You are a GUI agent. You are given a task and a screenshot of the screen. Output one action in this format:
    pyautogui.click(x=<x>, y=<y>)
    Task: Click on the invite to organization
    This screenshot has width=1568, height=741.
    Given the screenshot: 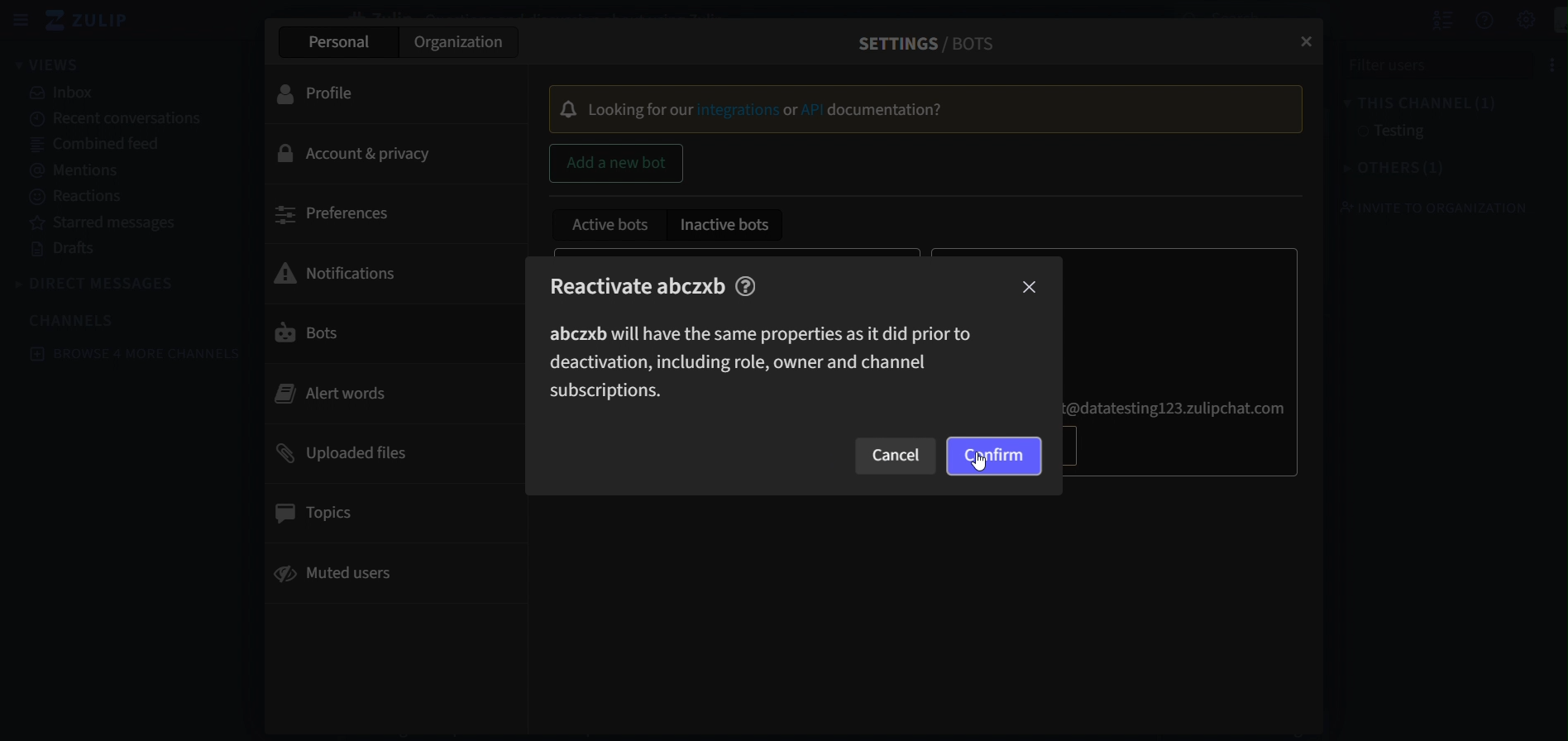 What is the action you would take?
    pyautogui.click(x=1428, y=207)
    